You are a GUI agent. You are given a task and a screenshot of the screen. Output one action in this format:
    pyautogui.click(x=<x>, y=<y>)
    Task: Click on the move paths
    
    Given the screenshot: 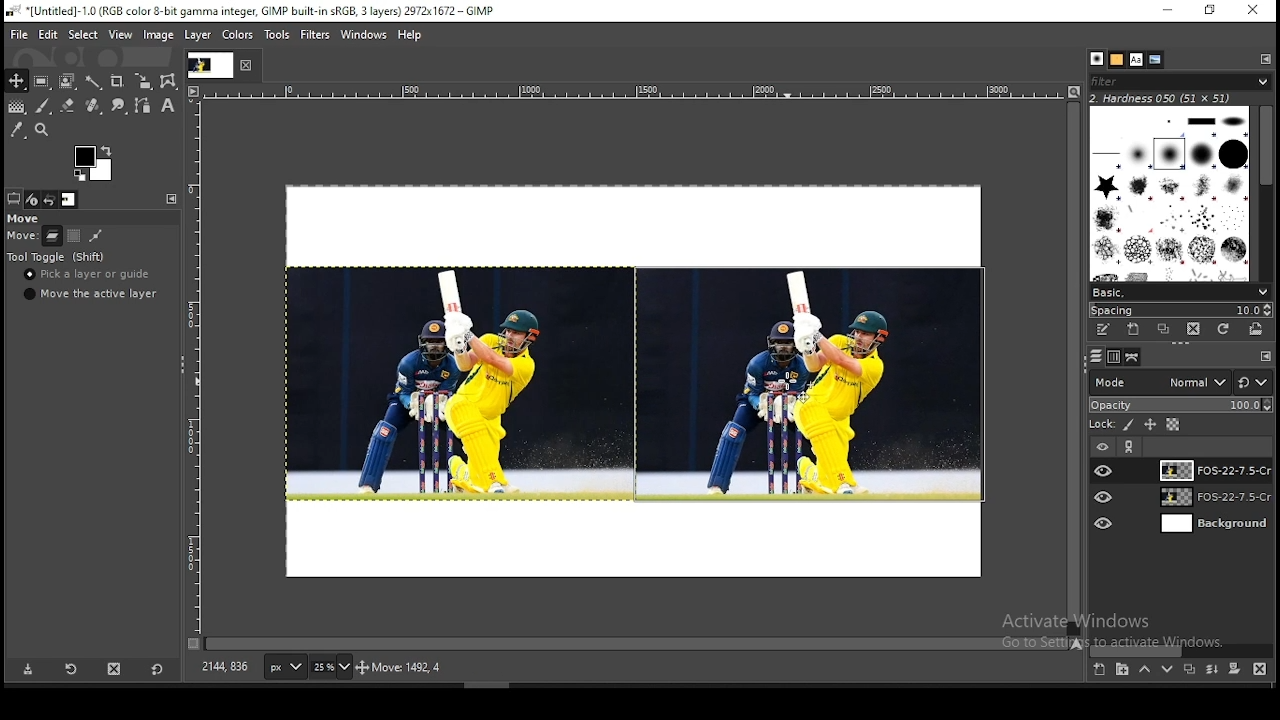 What is the action you would take?
    pyautogui.click(x=96, y=235)
    